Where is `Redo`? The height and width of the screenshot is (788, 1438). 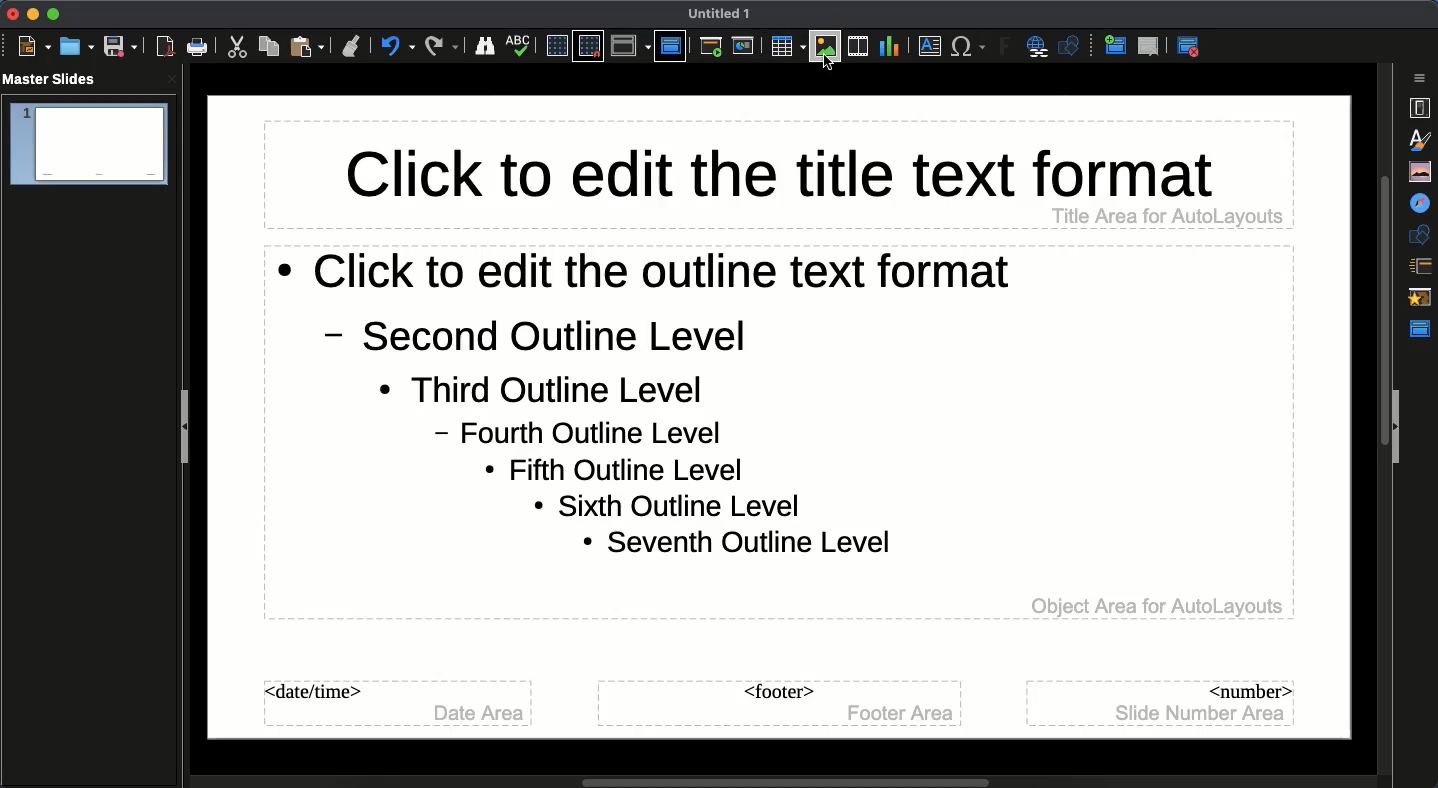 Redo is located at coordinates (442, 46).